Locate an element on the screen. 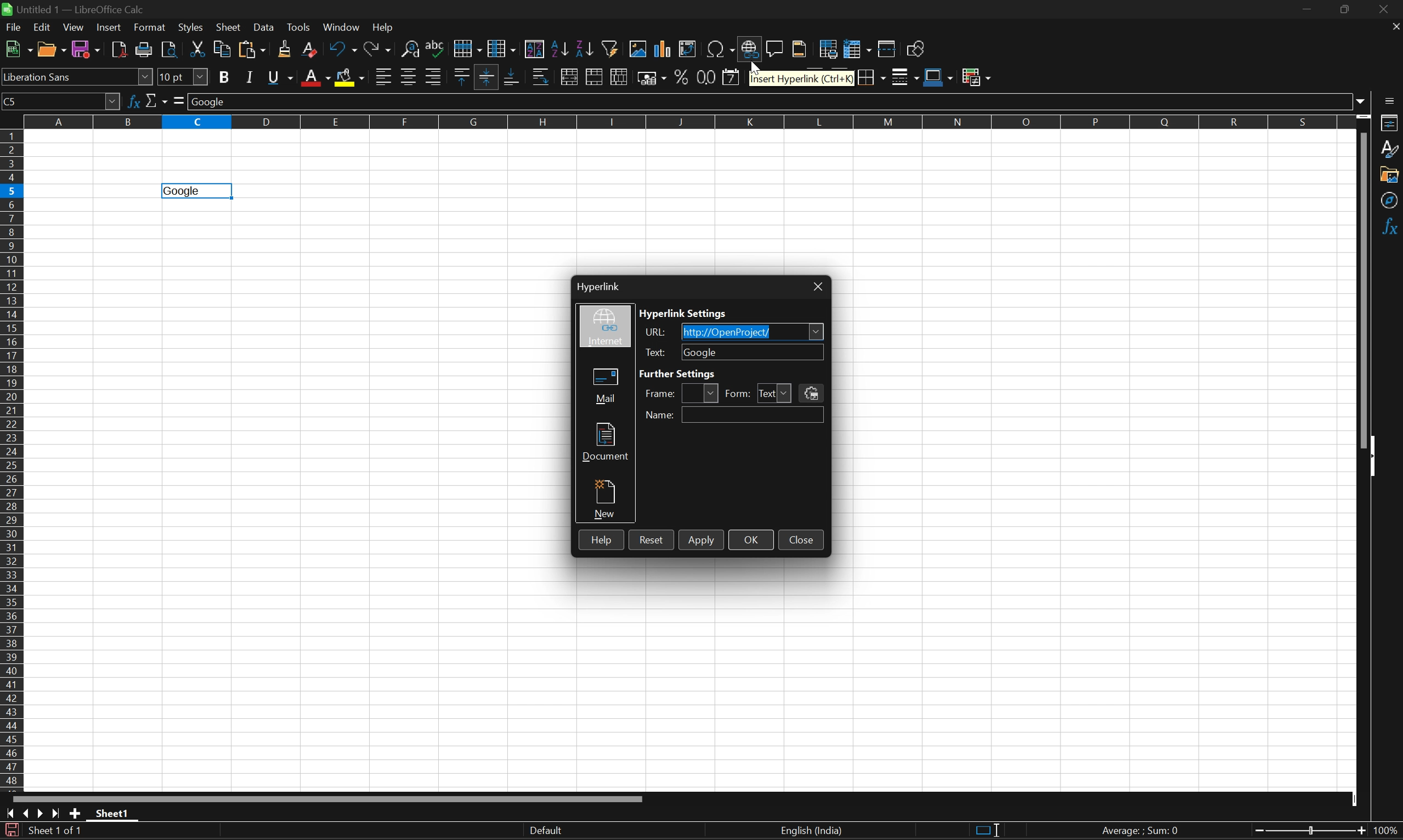 Image resolution: width=1403 pixels, height=840 pixels. Spelling is located at coordinates (437, 44).